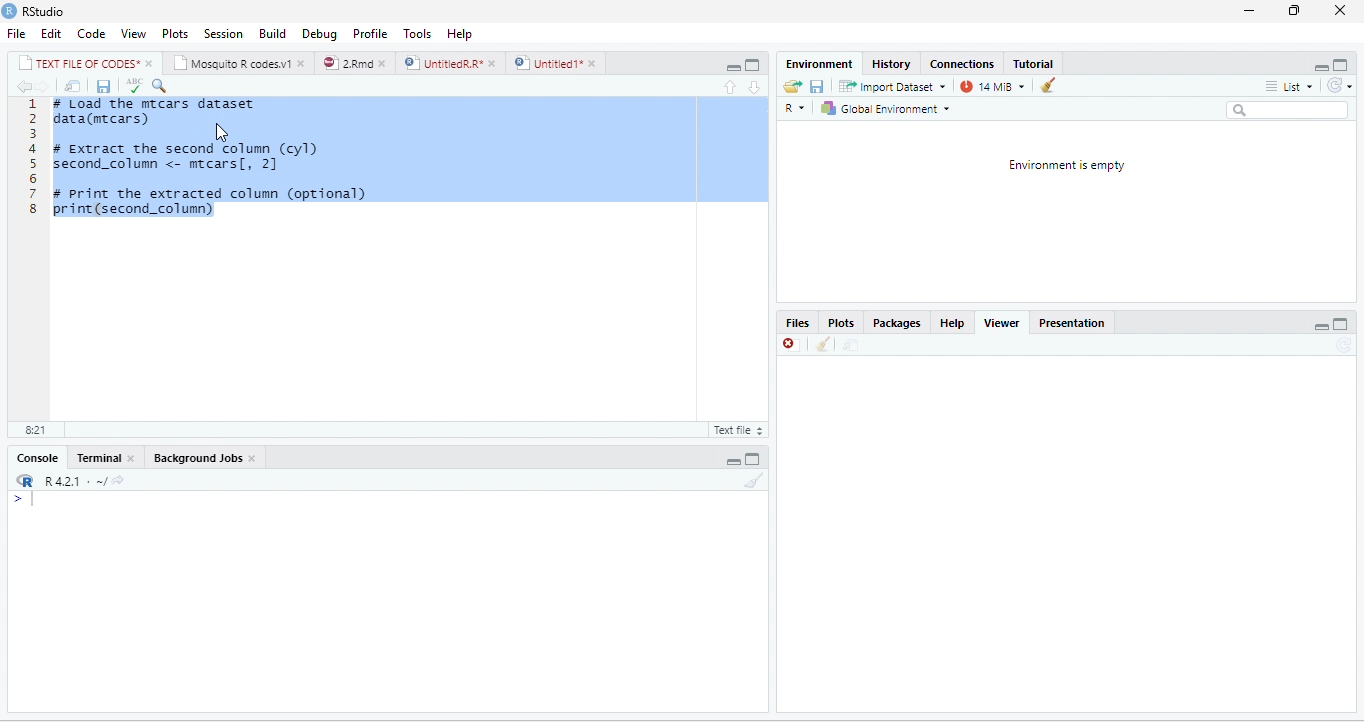  Describe the element at coordinates (50, 12) in the screenshot. I see `RStudio` at that location.